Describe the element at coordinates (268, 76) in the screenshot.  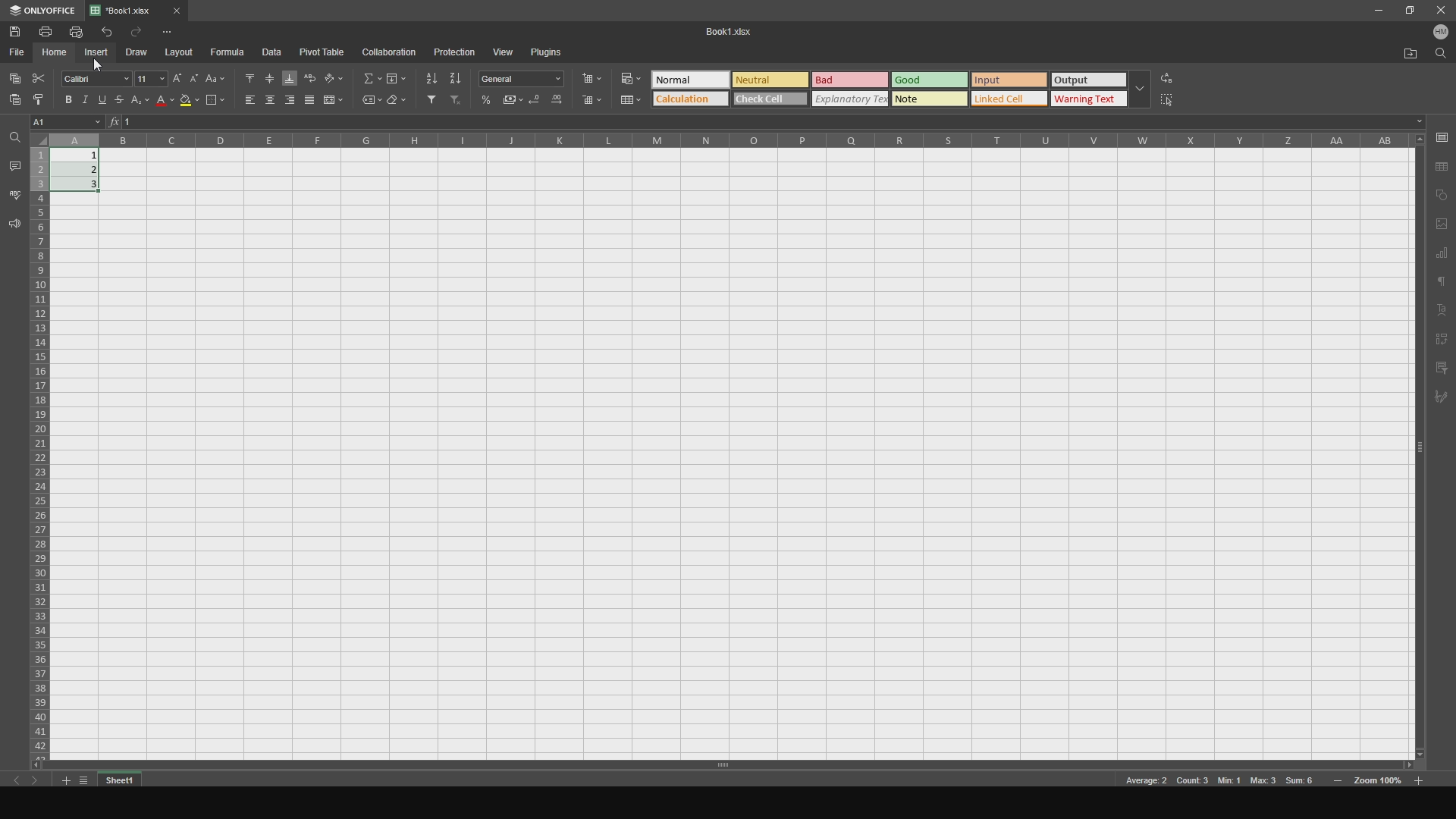
I see `align middle` at that location.